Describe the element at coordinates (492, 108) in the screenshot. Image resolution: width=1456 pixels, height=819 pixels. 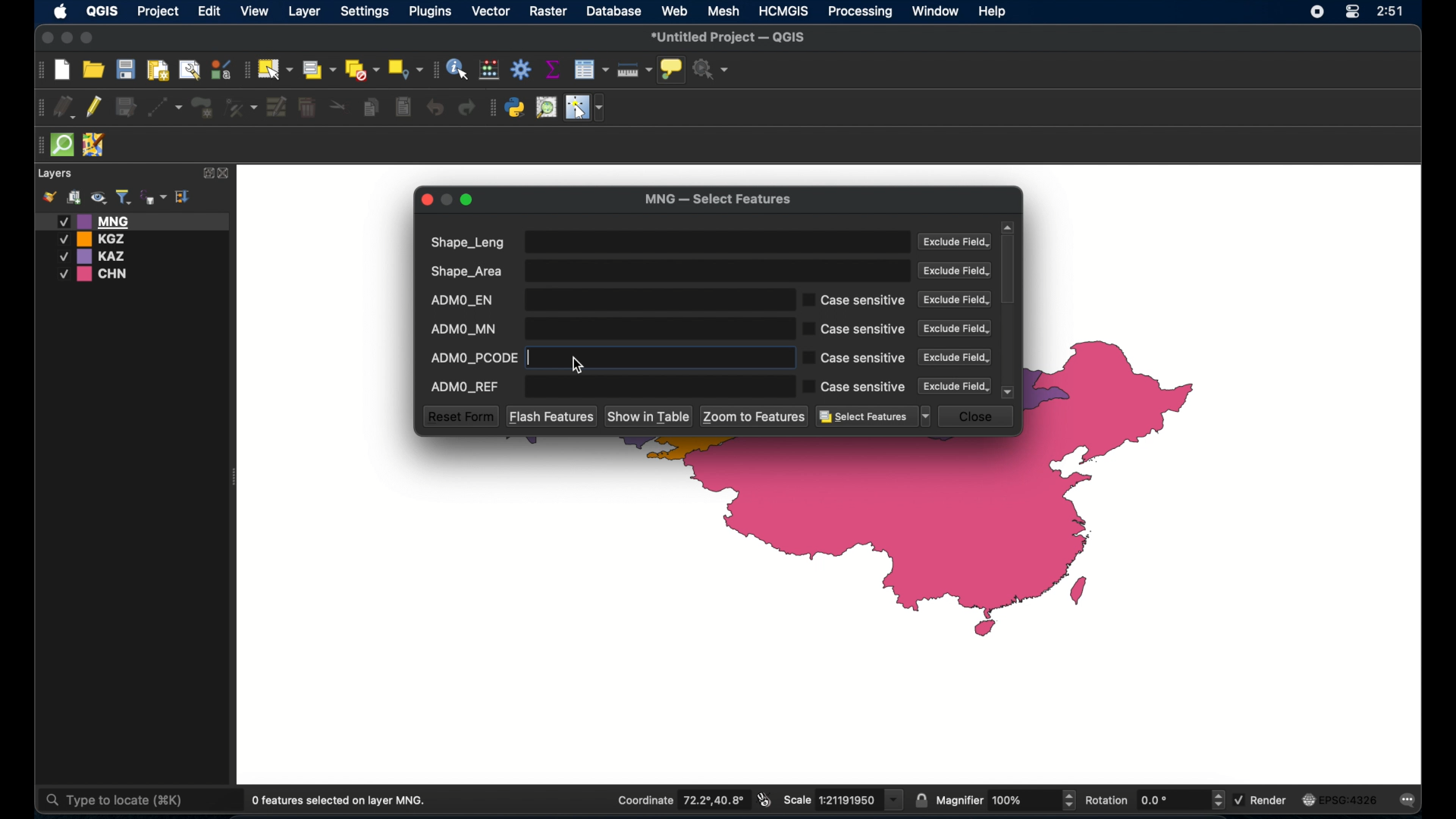
I see `plugins` at that location.